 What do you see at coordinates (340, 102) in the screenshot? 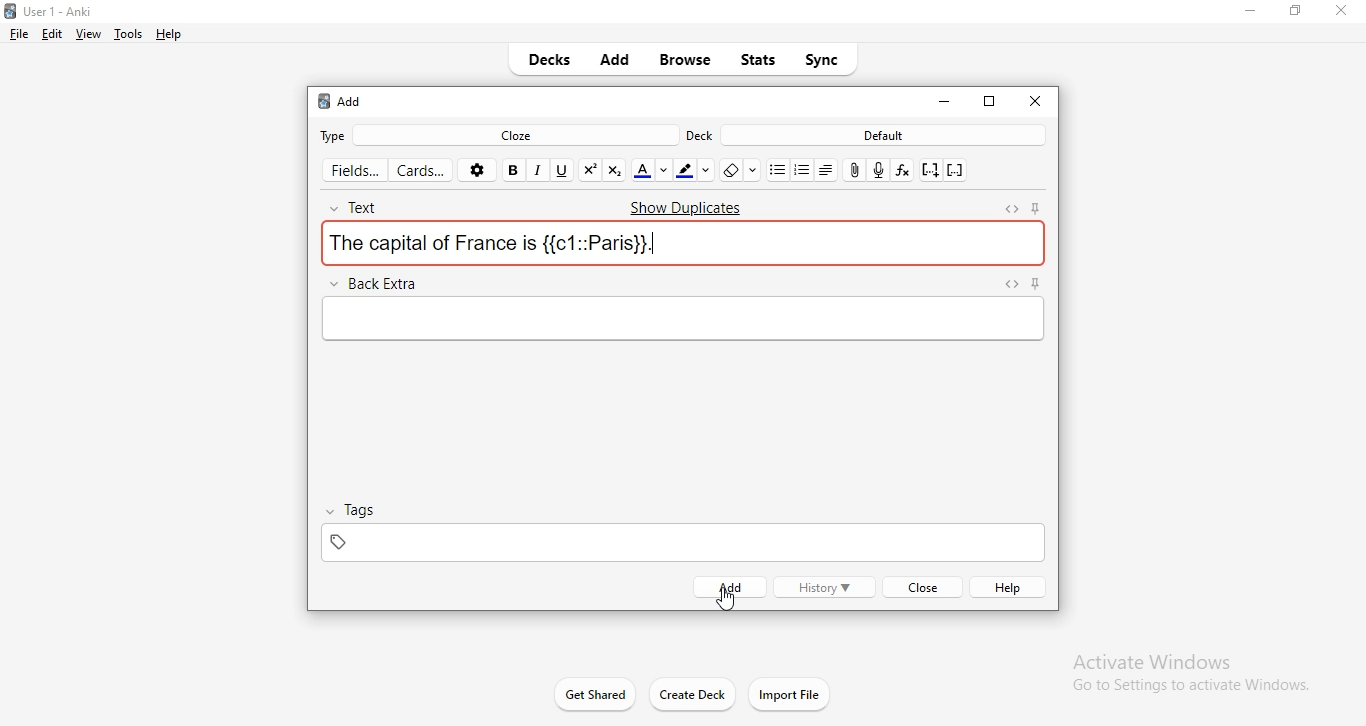
I see `add` at bounding box center [340, 102].